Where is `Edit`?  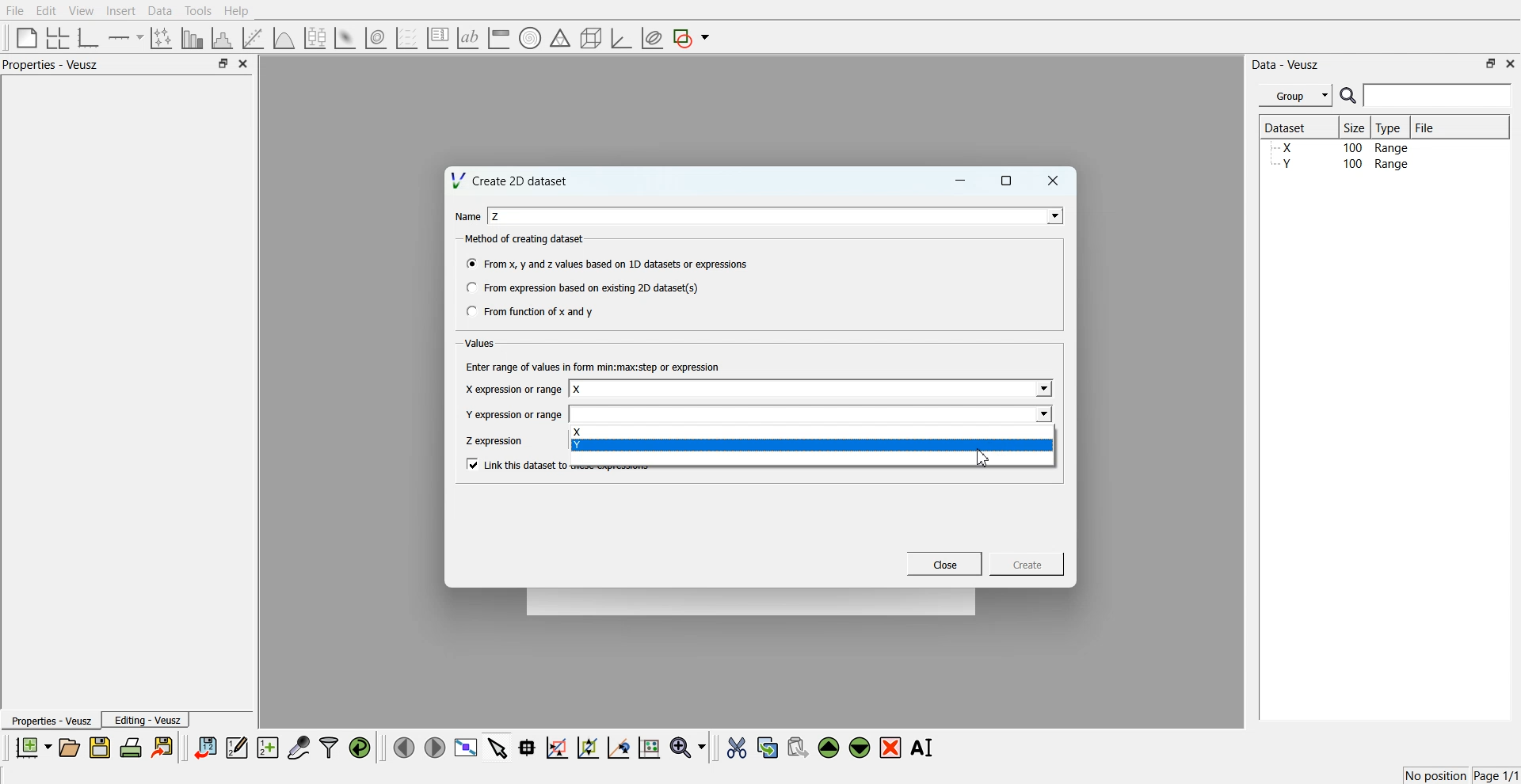
Edit is located at coordinates (45, 11).